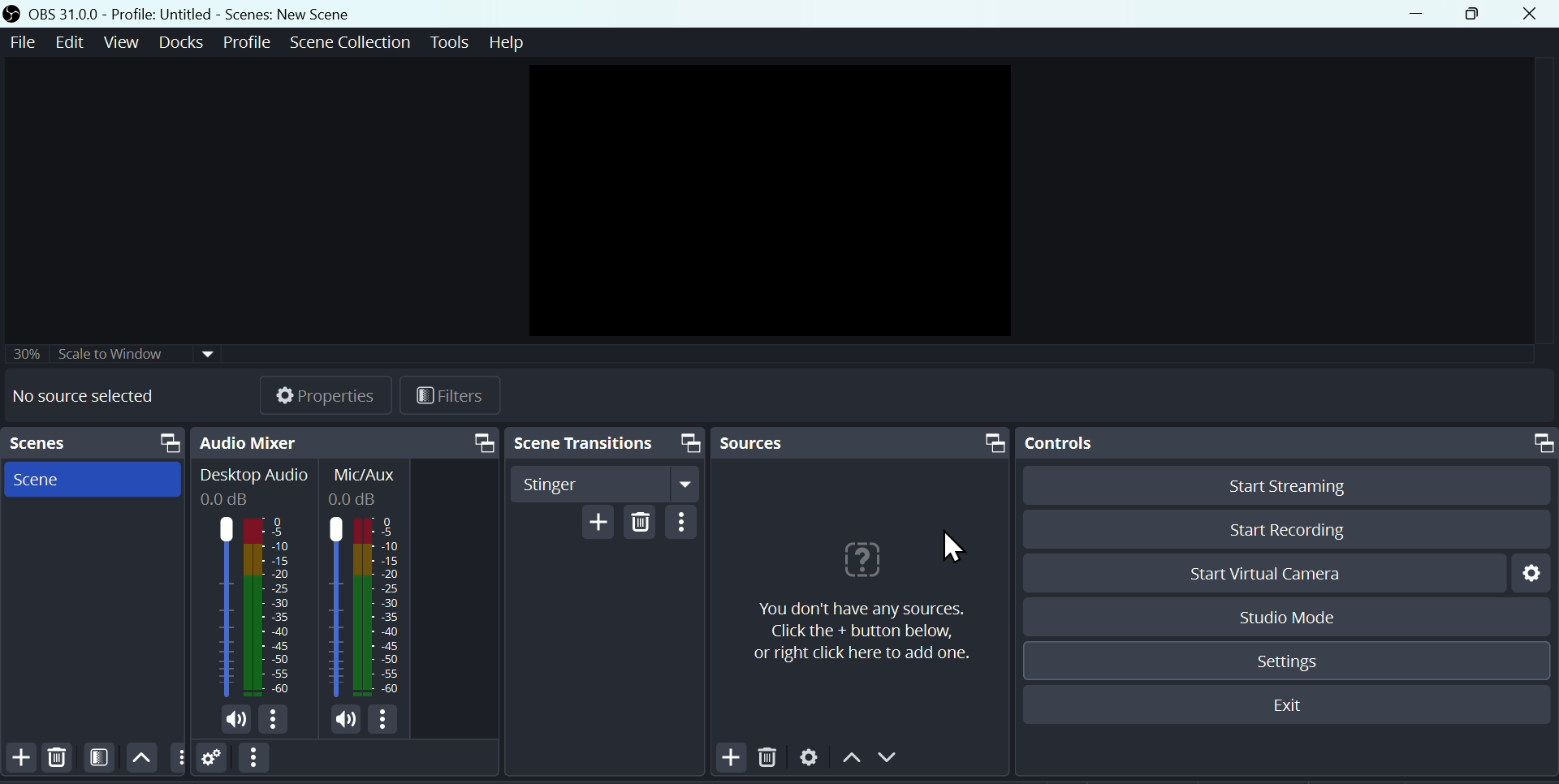 Image resolution: width=1559 pixels, height=784 pixels. I want to click on Studio mode, so click(1286, 619).